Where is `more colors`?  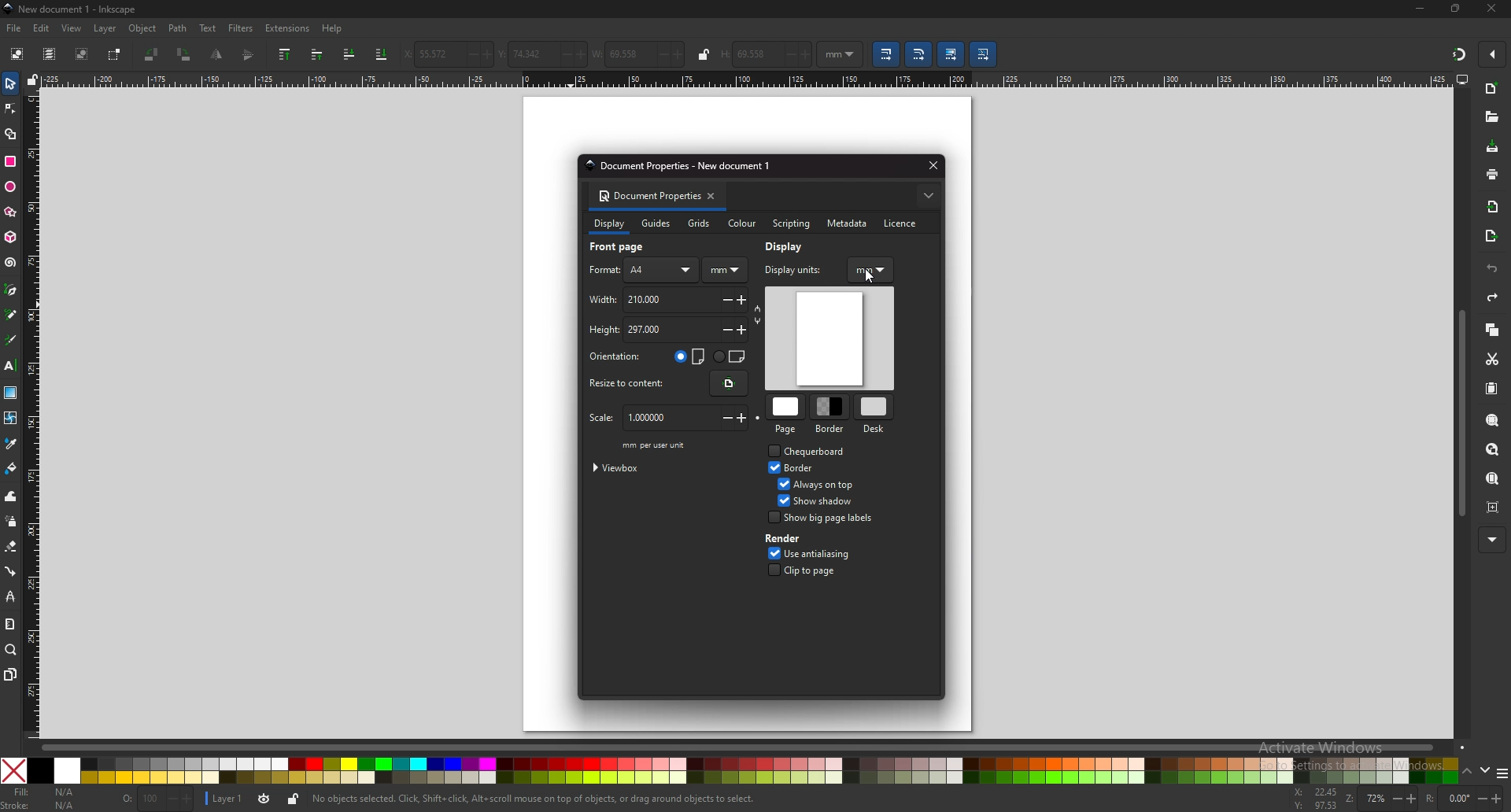 more colors is located at coordinates (1502, 771).